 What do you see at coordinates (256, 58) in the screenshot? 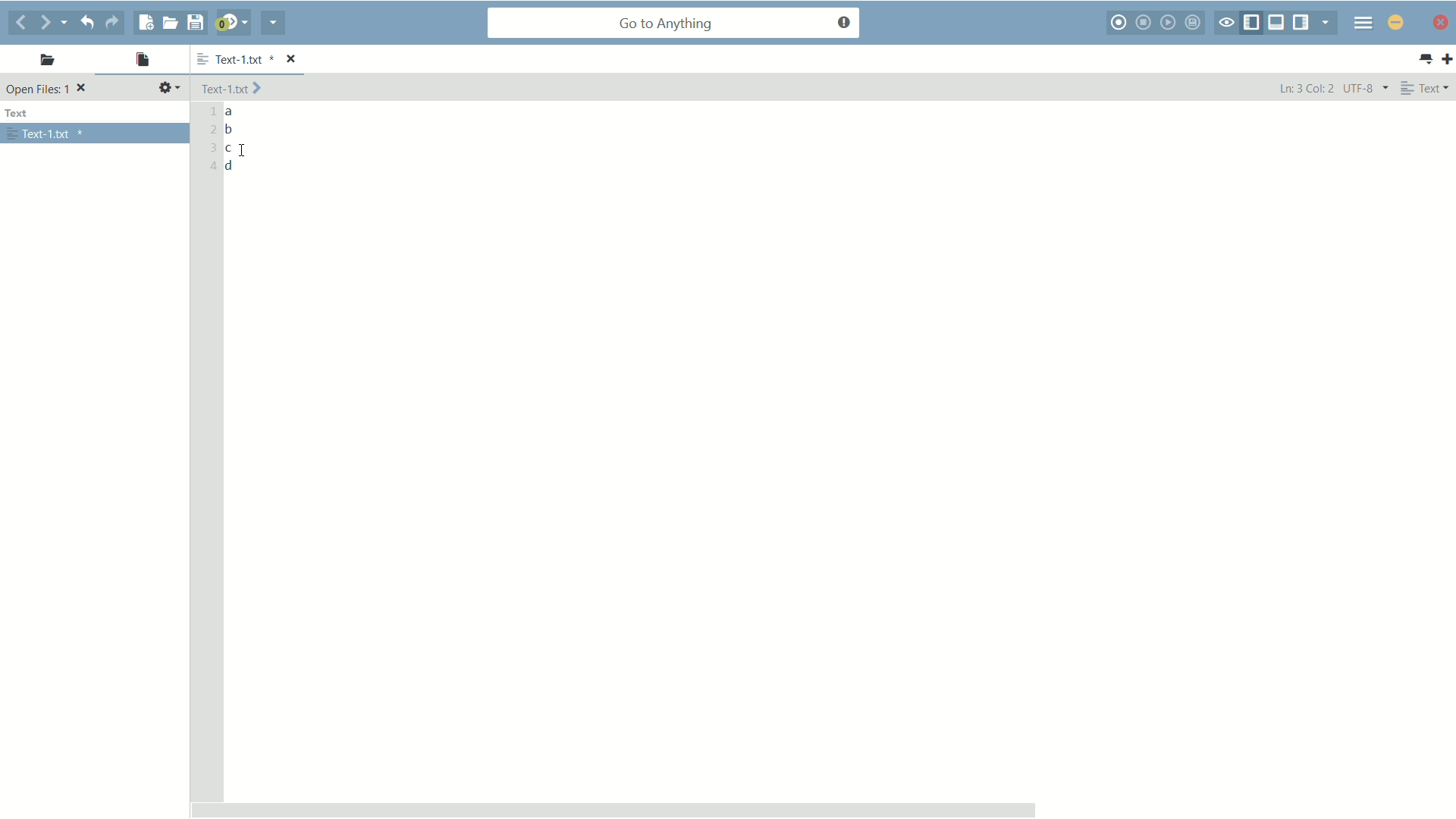
I see `Text-1.txt *` at bounding box center [256, 58].